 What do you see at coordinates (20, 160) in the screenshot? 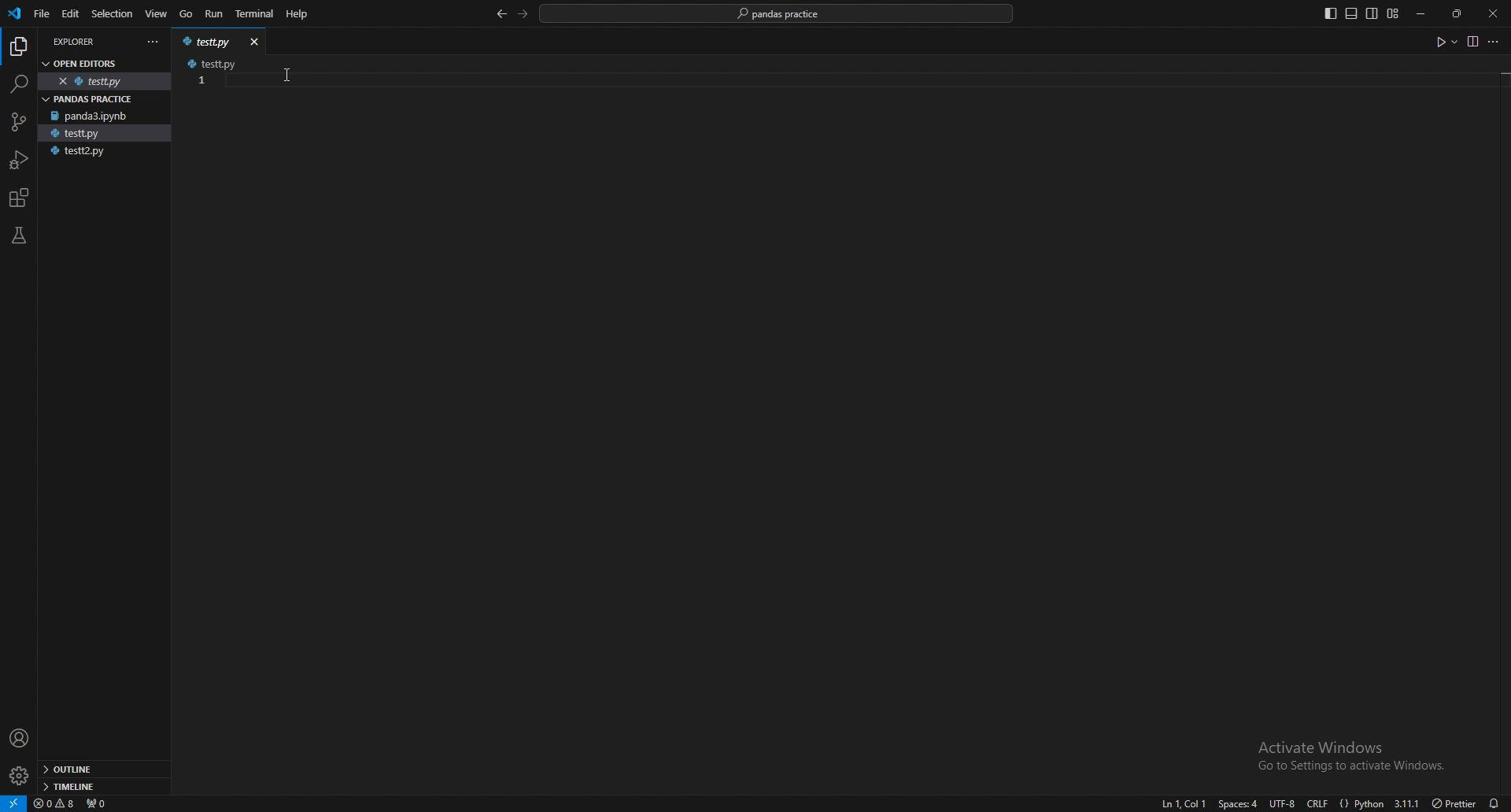
I see `run and debug` at bounding box center [20, 160].